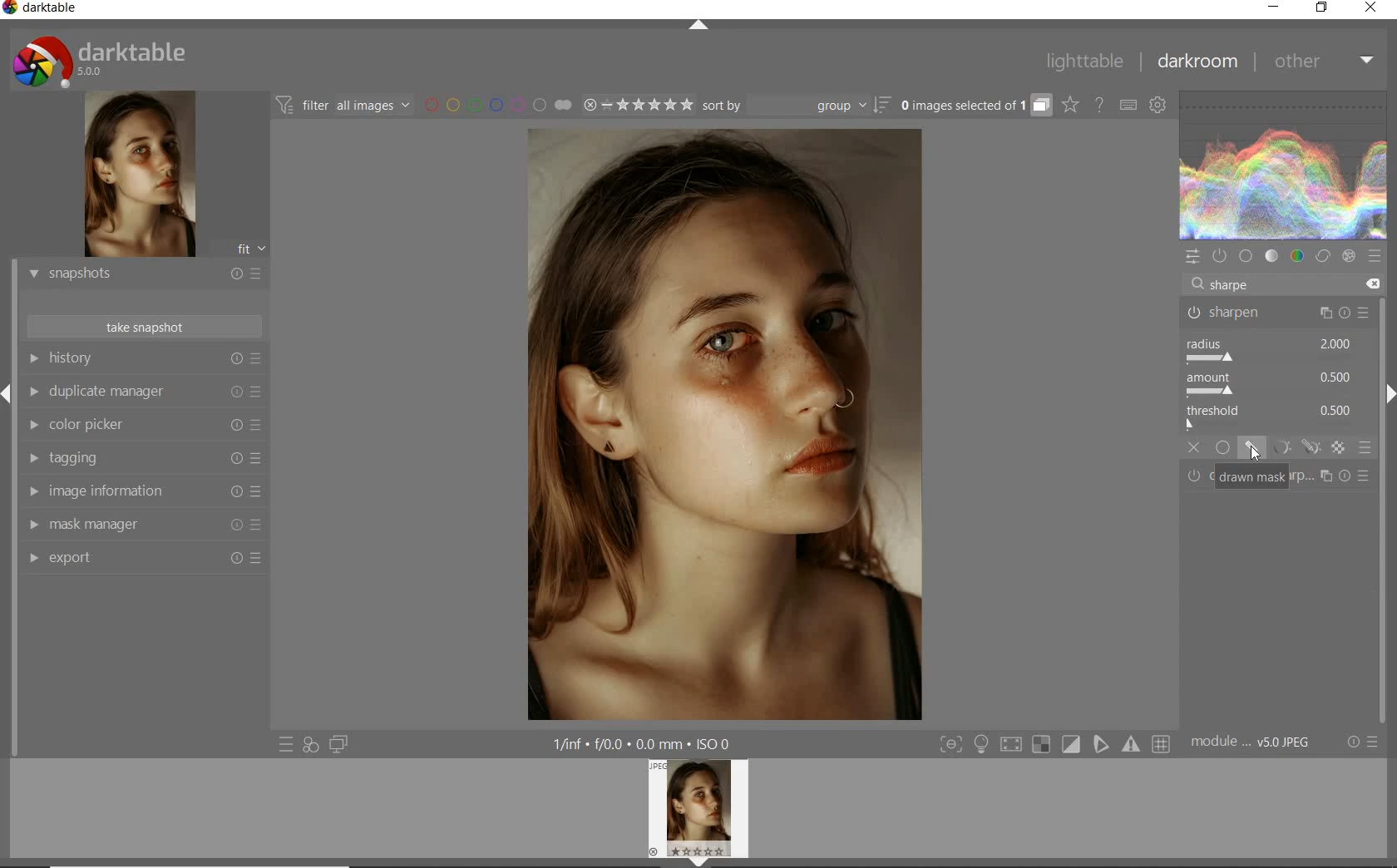  Describe the element at coordinates (144, 560) in the screenshot. I see `export` at that location.